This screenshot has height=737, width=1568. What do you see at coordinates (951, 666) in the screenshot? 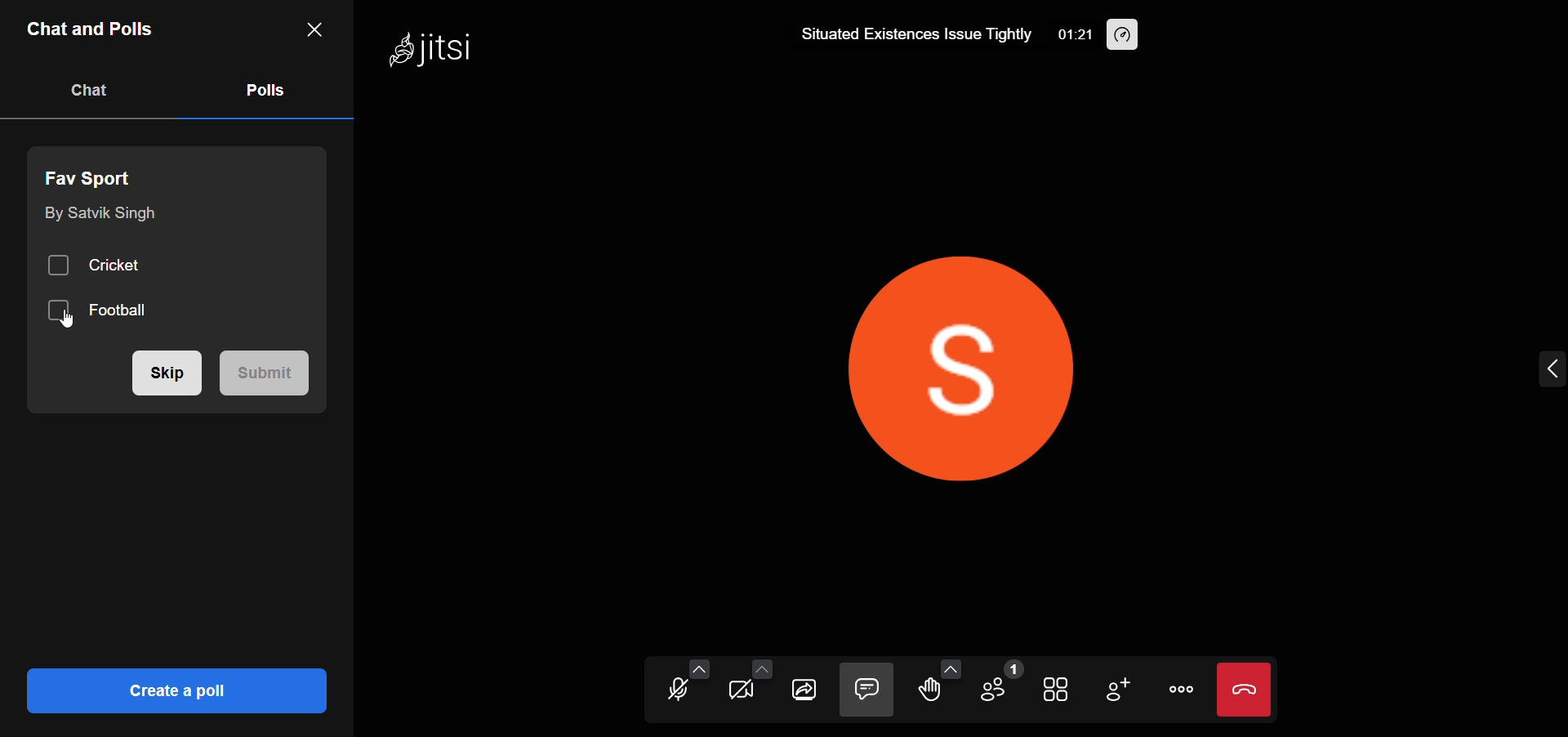
I see `more emoji` at bounding box center [951, 666].